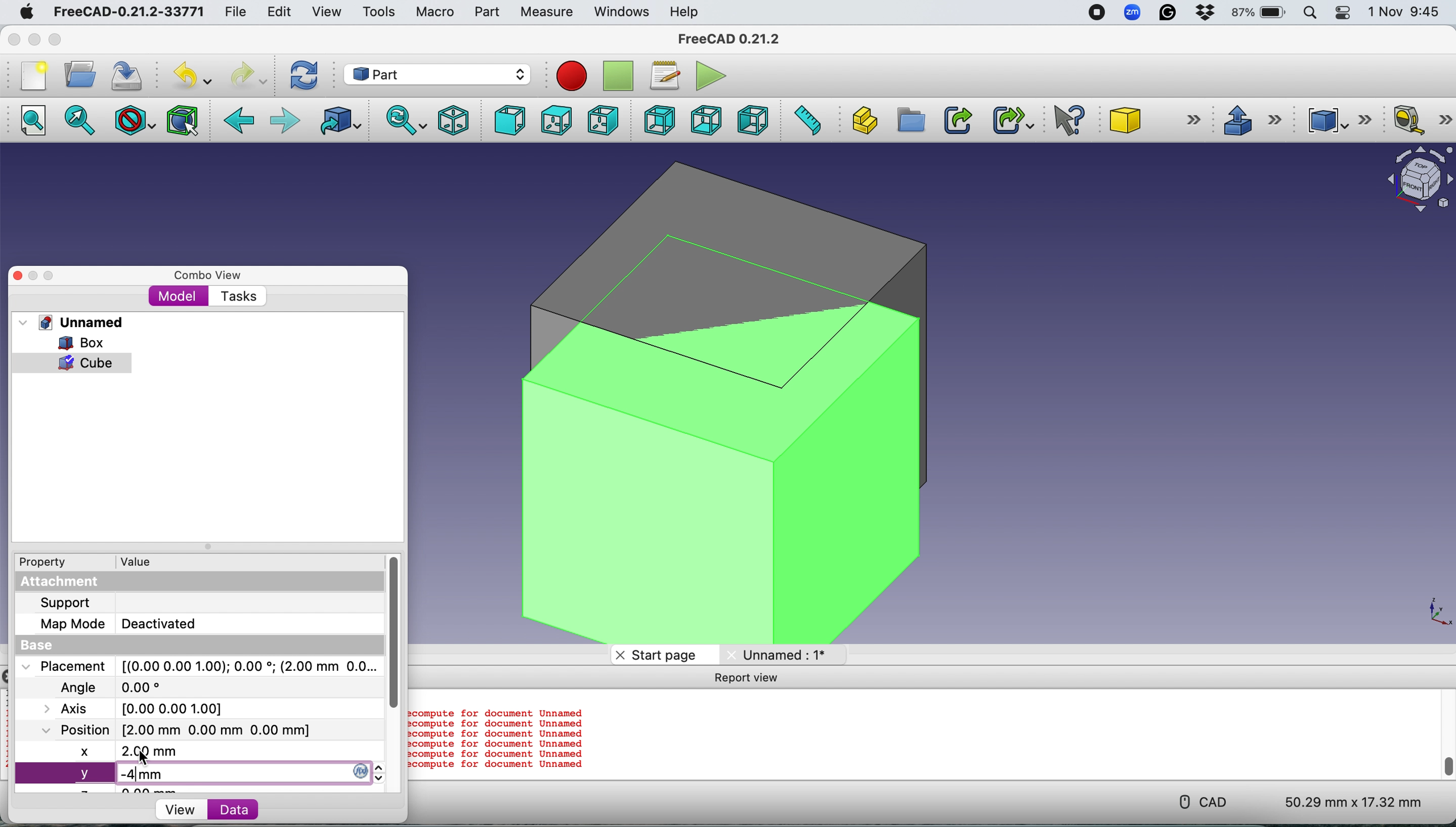  I want to click on Attachment, so click(63, 583).